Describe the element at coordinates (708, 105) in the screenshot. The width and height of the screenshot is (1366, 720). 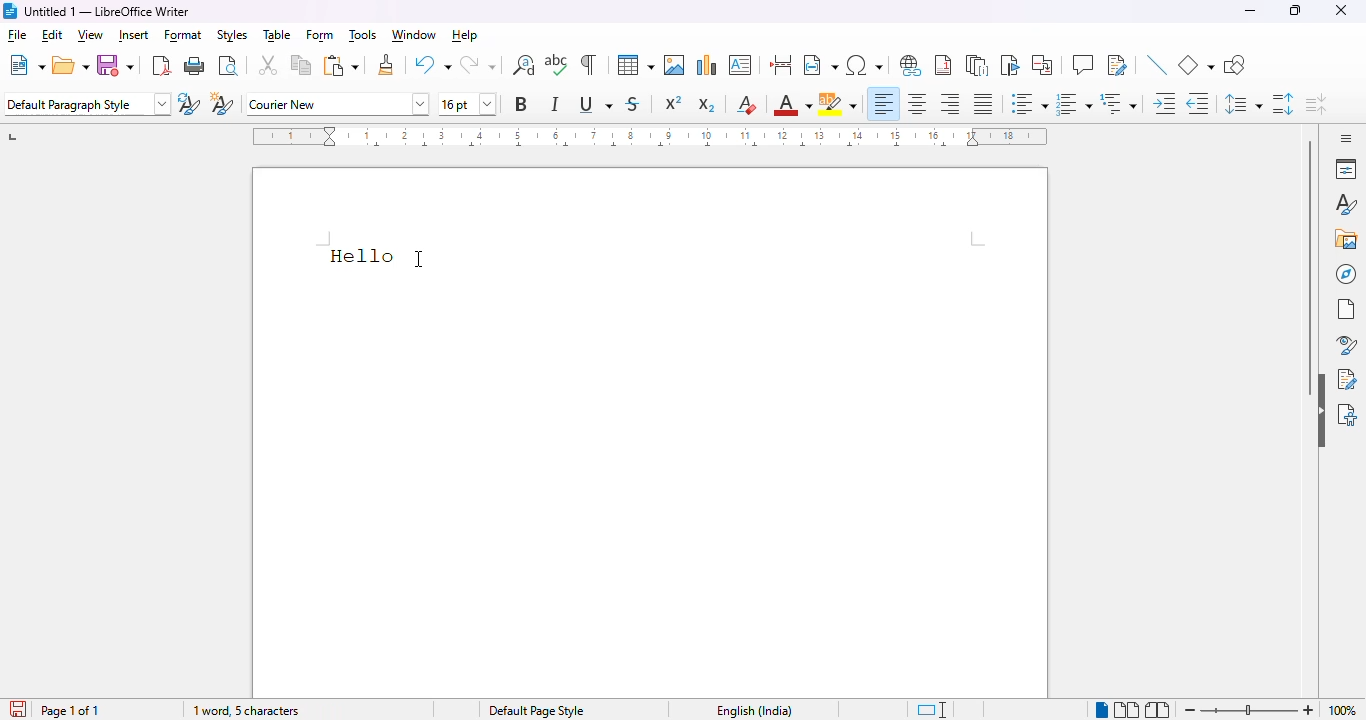
I see `subscript` at that location.